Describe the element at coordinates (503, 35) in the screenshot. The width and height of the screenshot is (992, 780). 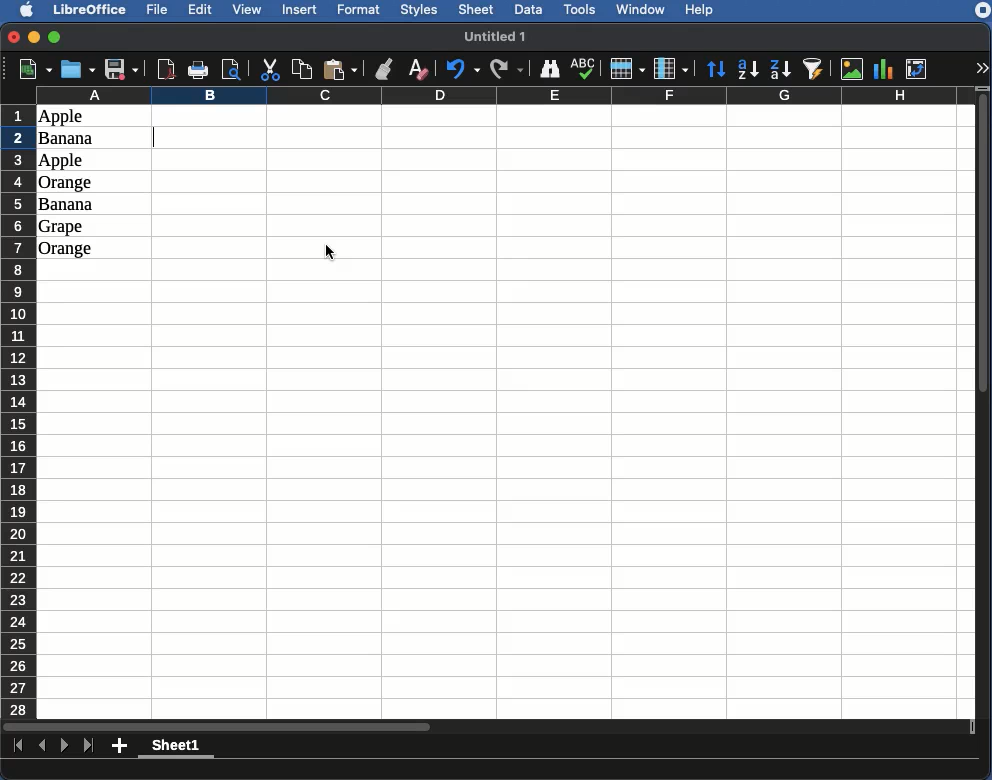
I see `untitled 1` at that location.